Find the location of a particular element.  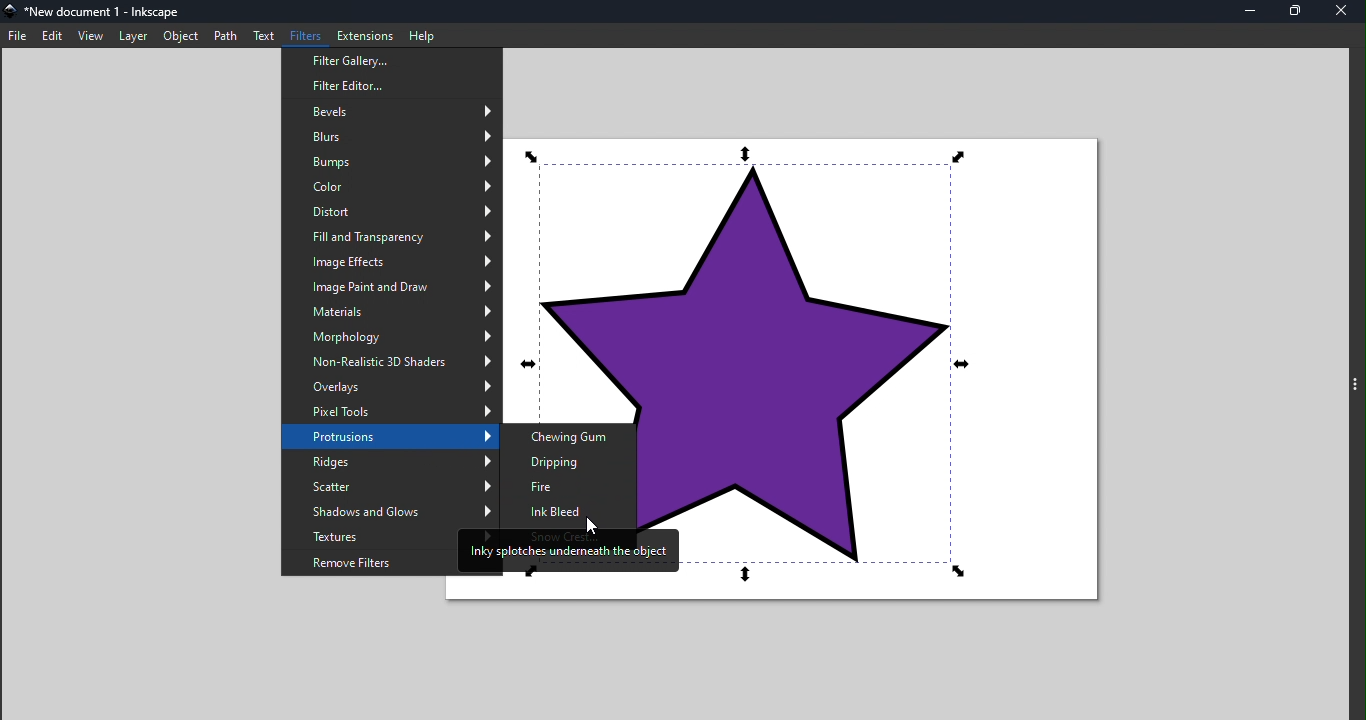

Color is located at coordinates (396, 189).